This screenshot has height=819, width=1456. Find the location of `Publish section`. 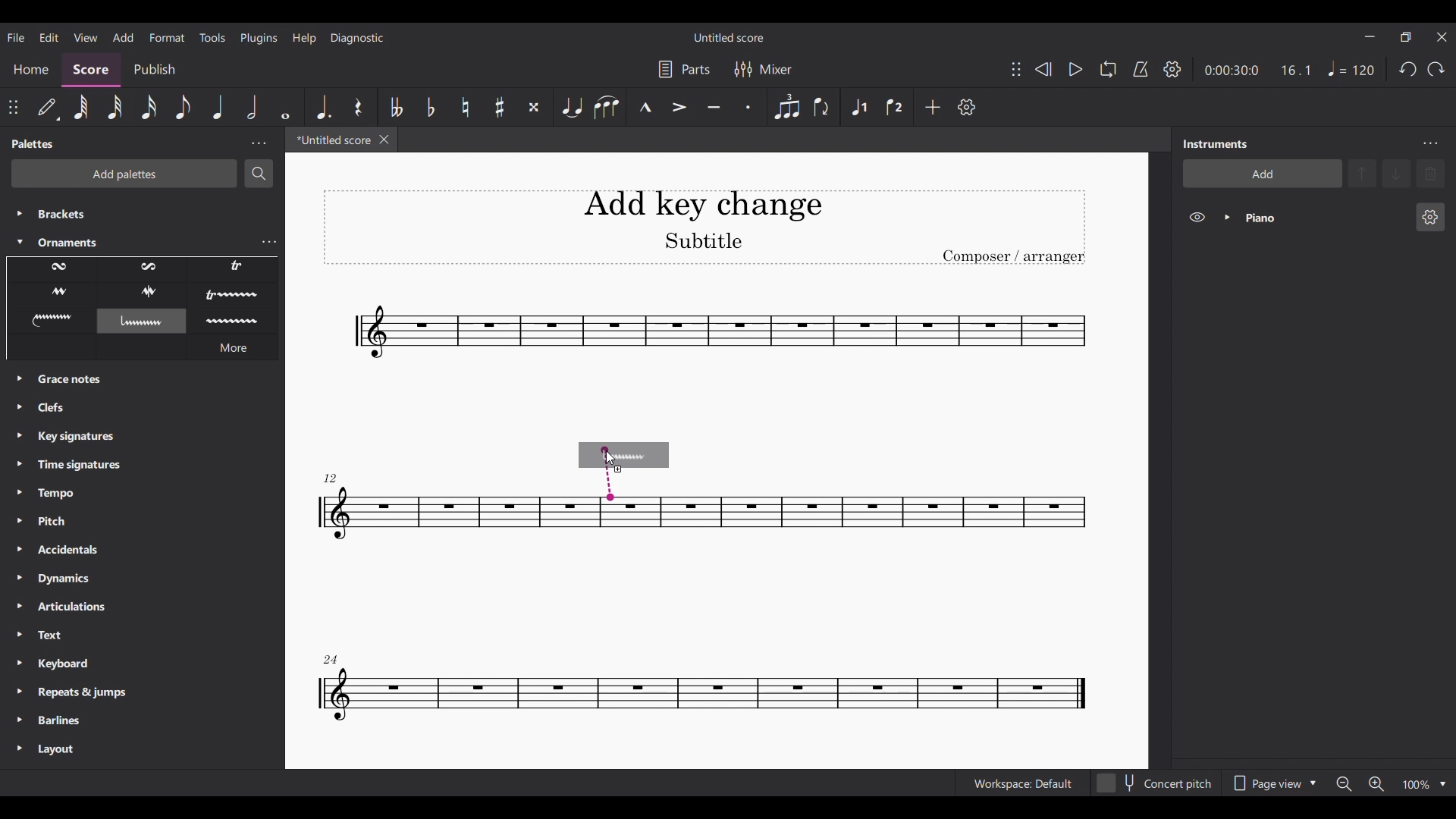

Publish section is located at coordinates (155, 71).